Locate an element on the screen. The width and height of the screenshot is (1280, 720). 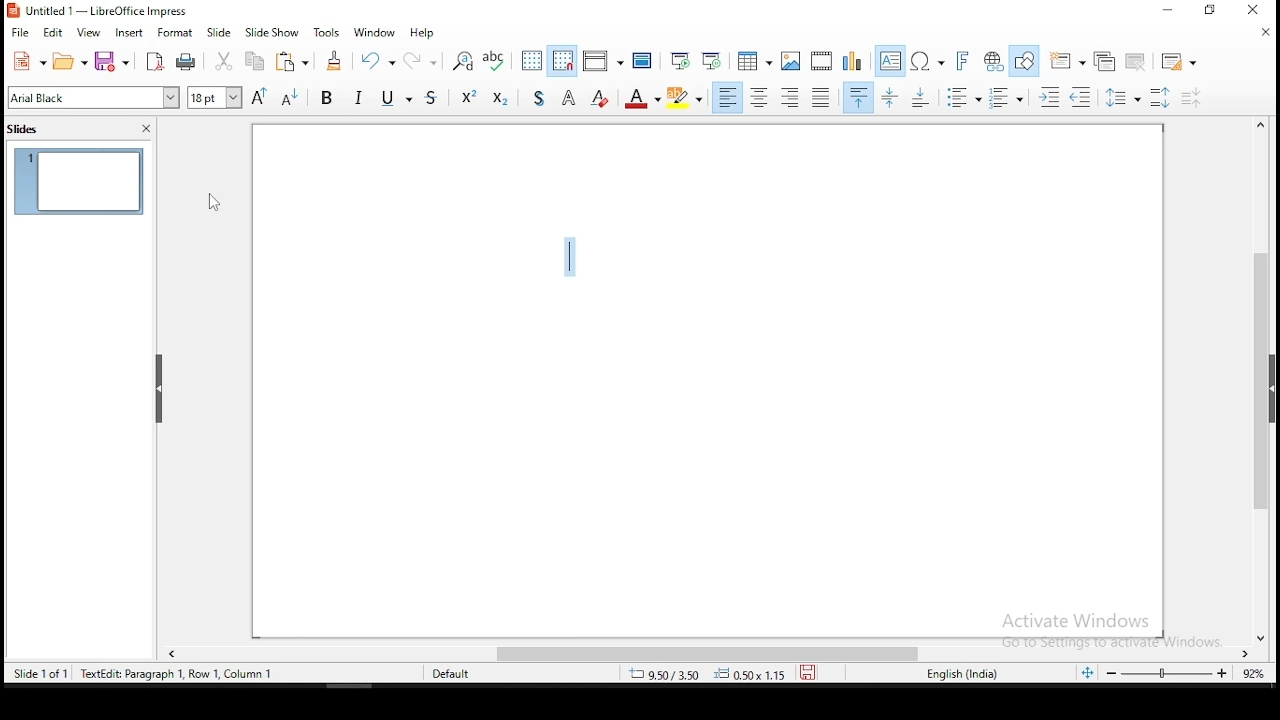
Strikethrough is located at coordinates (433, 95).